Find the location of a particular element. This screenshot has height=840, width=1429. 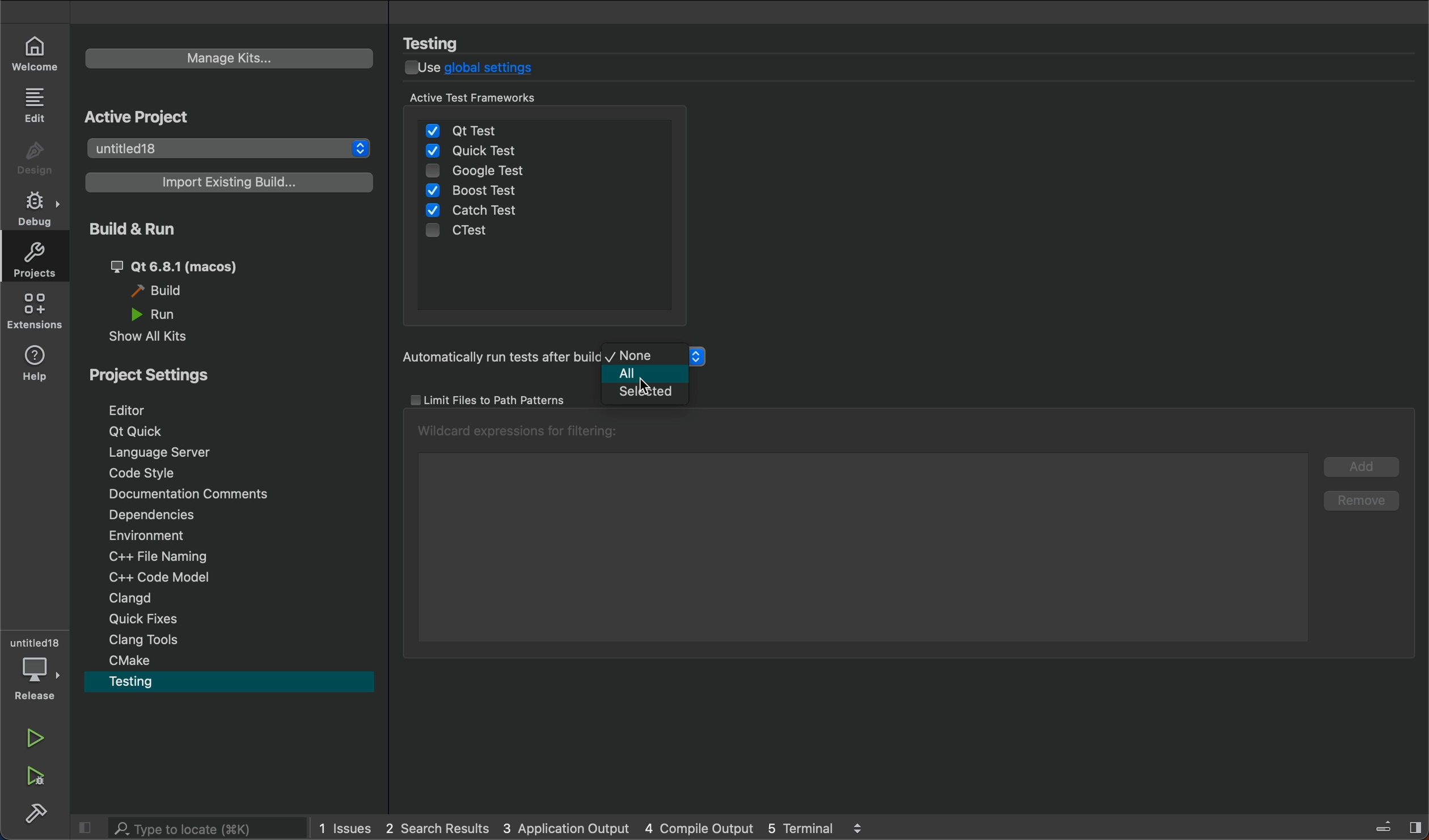

selected is located at coordinates (639, 393).